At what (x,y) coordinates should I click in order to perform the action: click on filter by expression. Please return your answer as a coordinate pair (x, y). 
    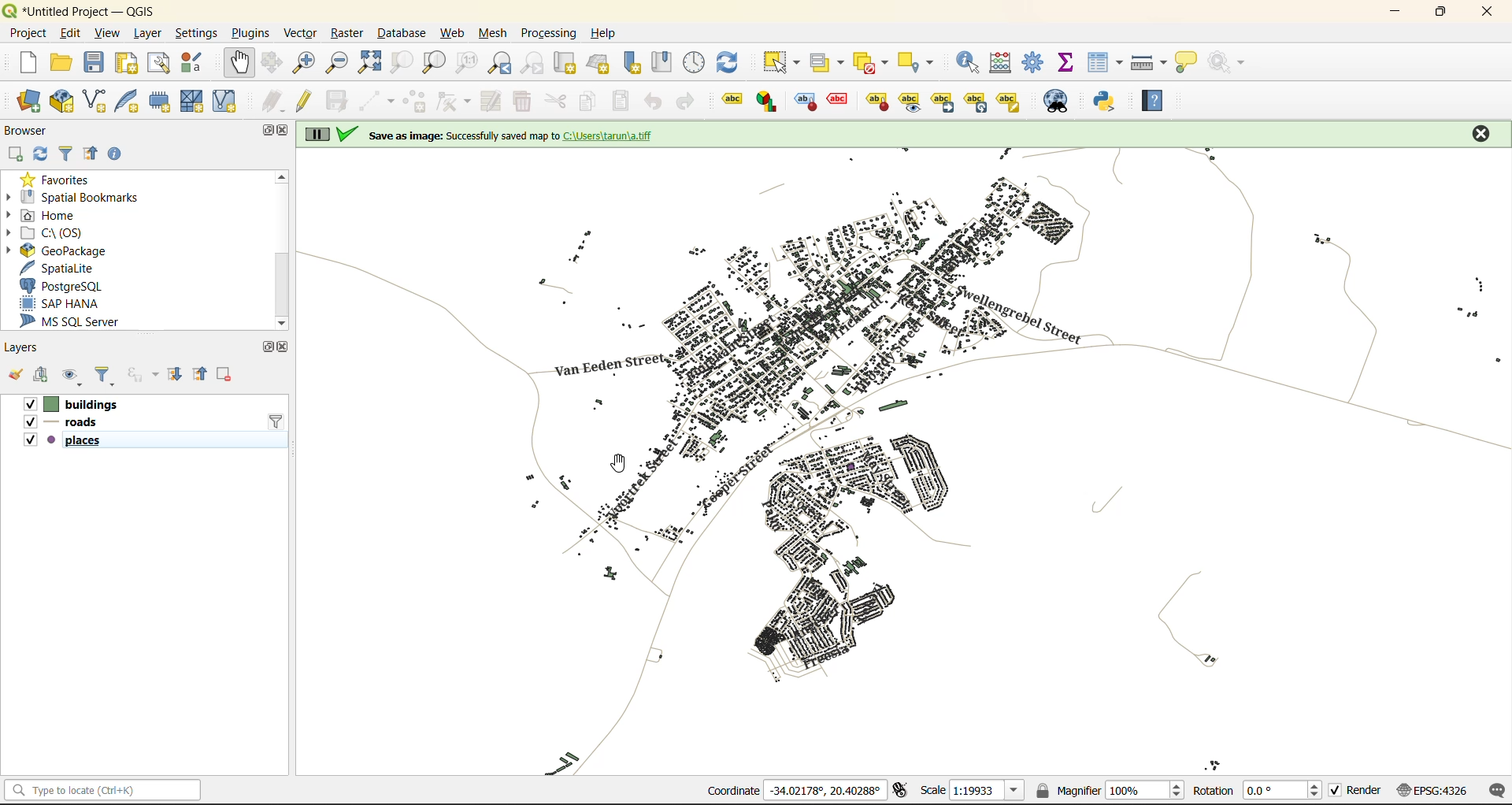
    Looking at the image, I should click on (142, 374).